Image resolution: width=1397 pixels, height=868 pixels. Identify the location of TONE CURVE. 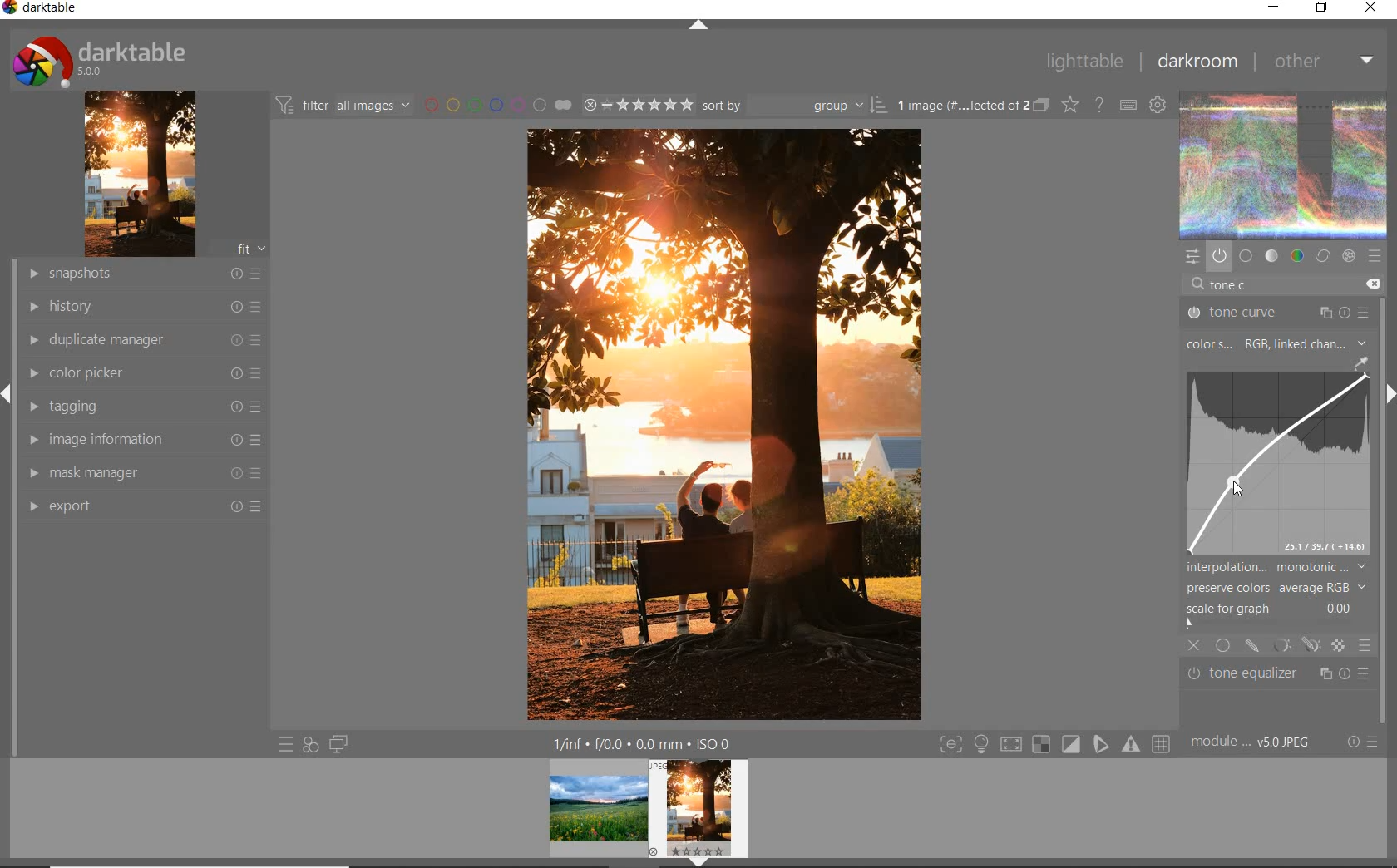
(1278, 311).